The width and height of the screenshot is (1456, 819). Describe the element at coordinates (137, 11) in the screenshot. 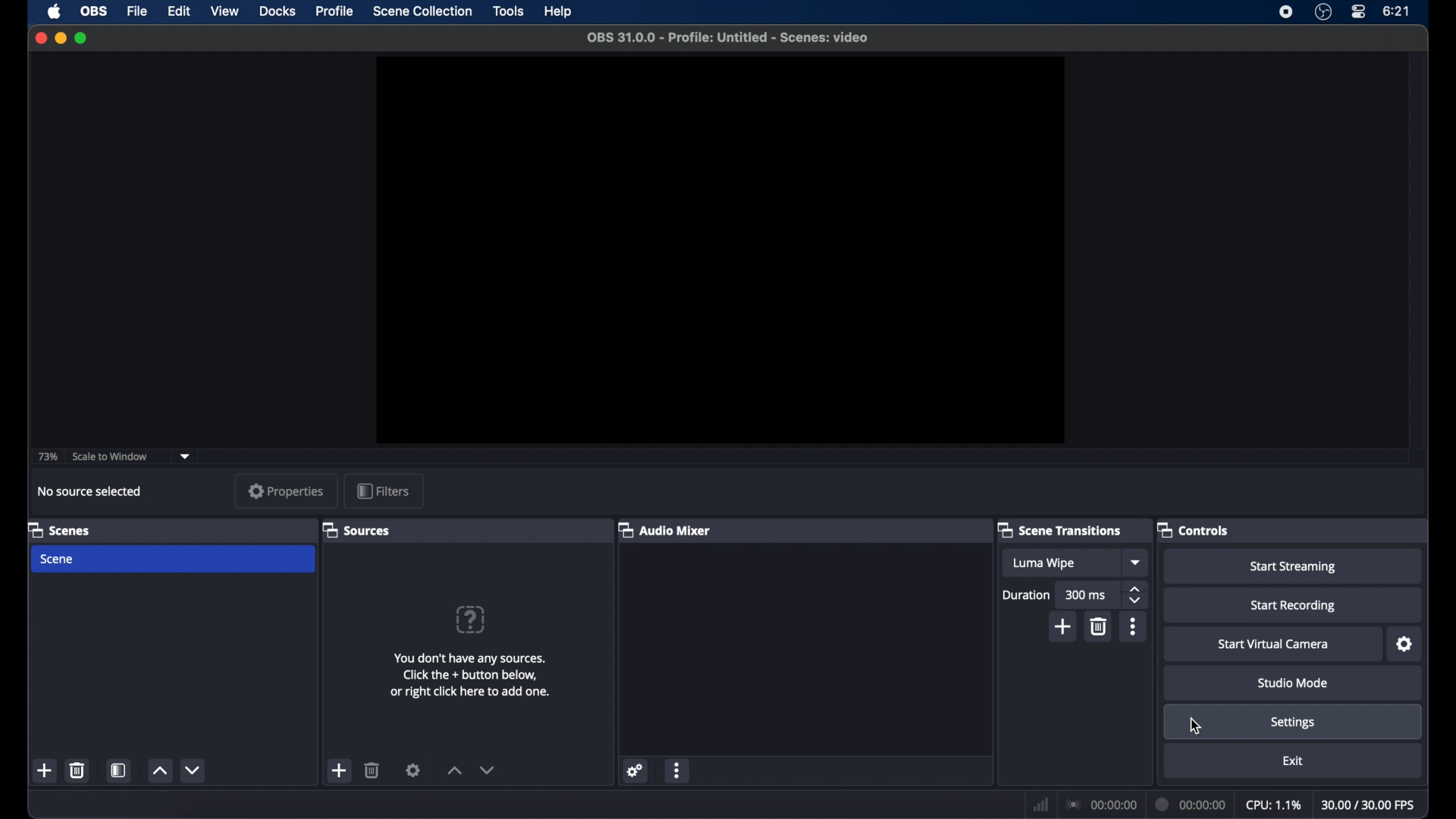

I see `file` at that location.